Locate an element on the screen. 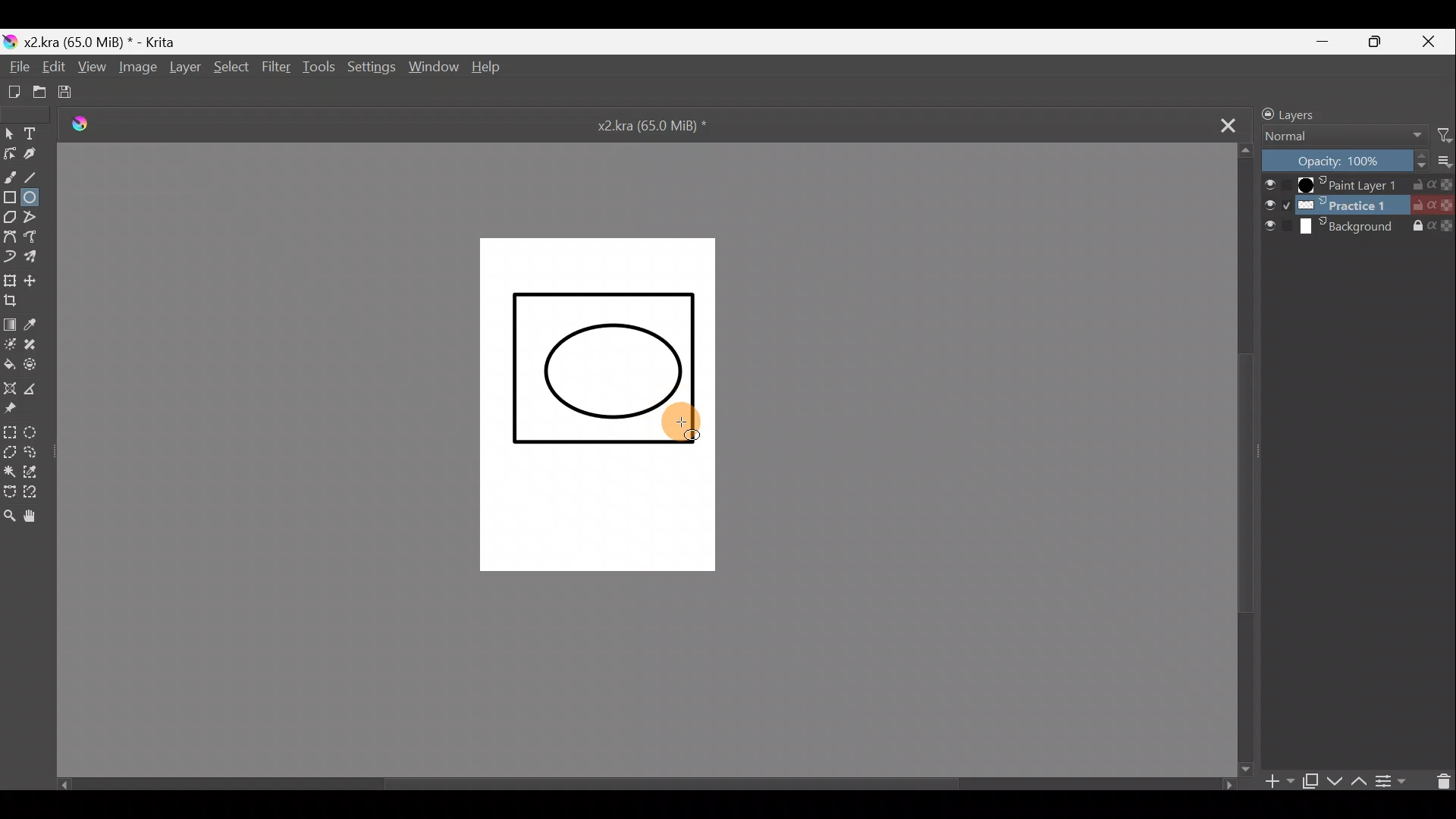 Image resolution: width=1456 pixels, height=819 pixels. Crop image to an area is located at coordinates (17, 303).